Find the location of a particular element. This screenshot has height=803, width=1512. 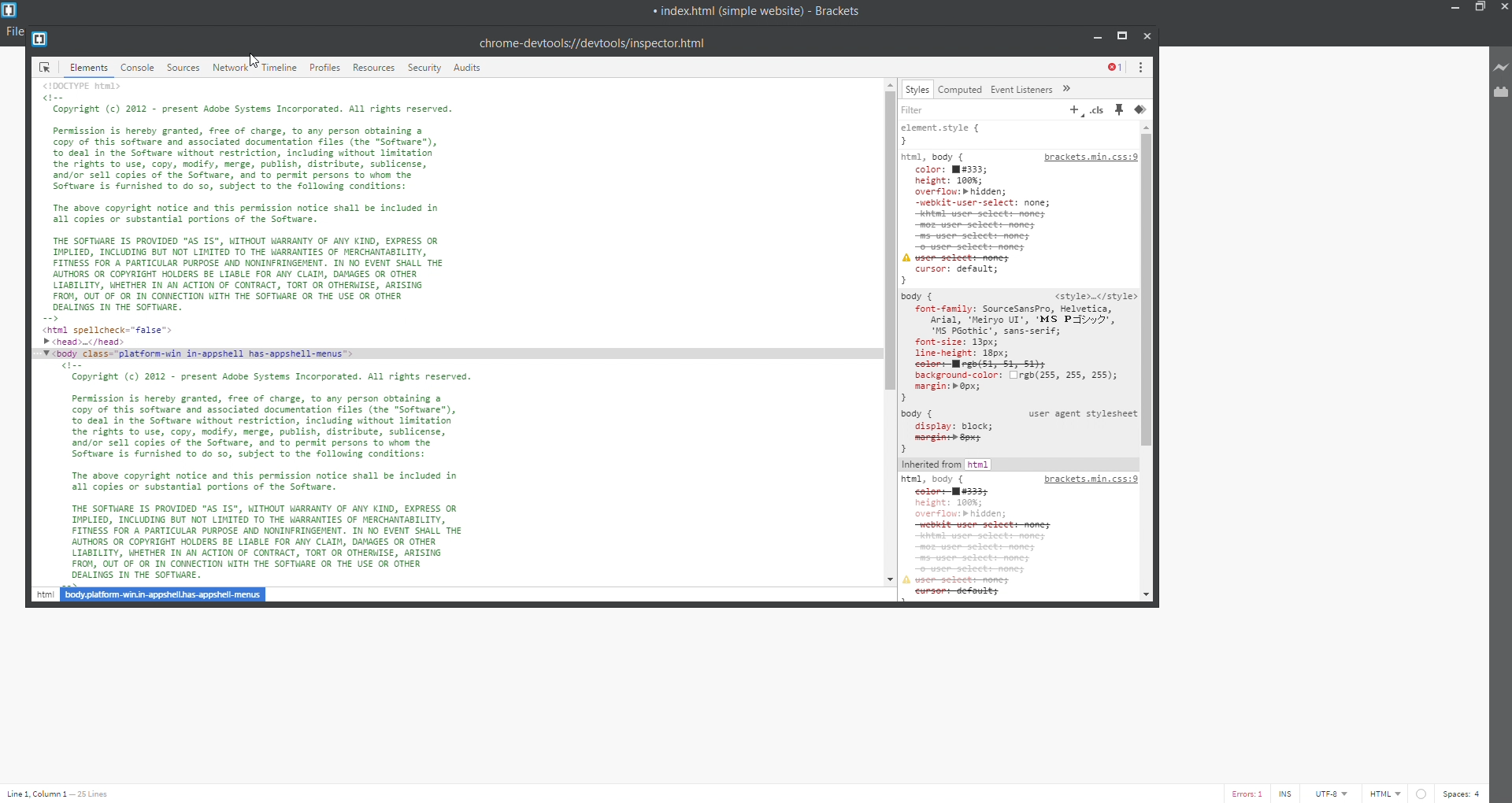

.cls is located at coordinates (1098, 110).